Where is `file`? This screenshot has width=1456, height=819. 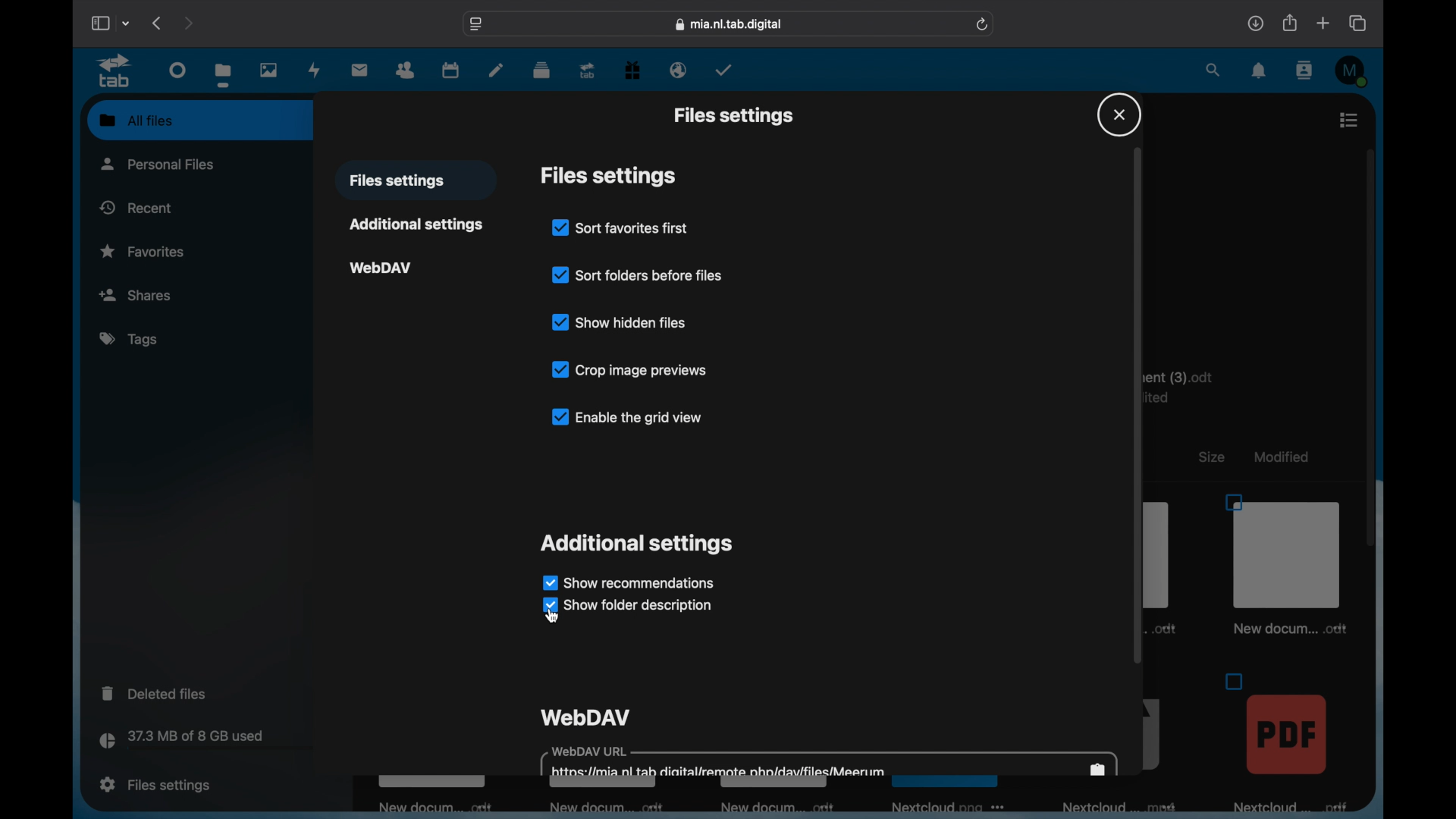 file is located at coordinates (1287, 742).